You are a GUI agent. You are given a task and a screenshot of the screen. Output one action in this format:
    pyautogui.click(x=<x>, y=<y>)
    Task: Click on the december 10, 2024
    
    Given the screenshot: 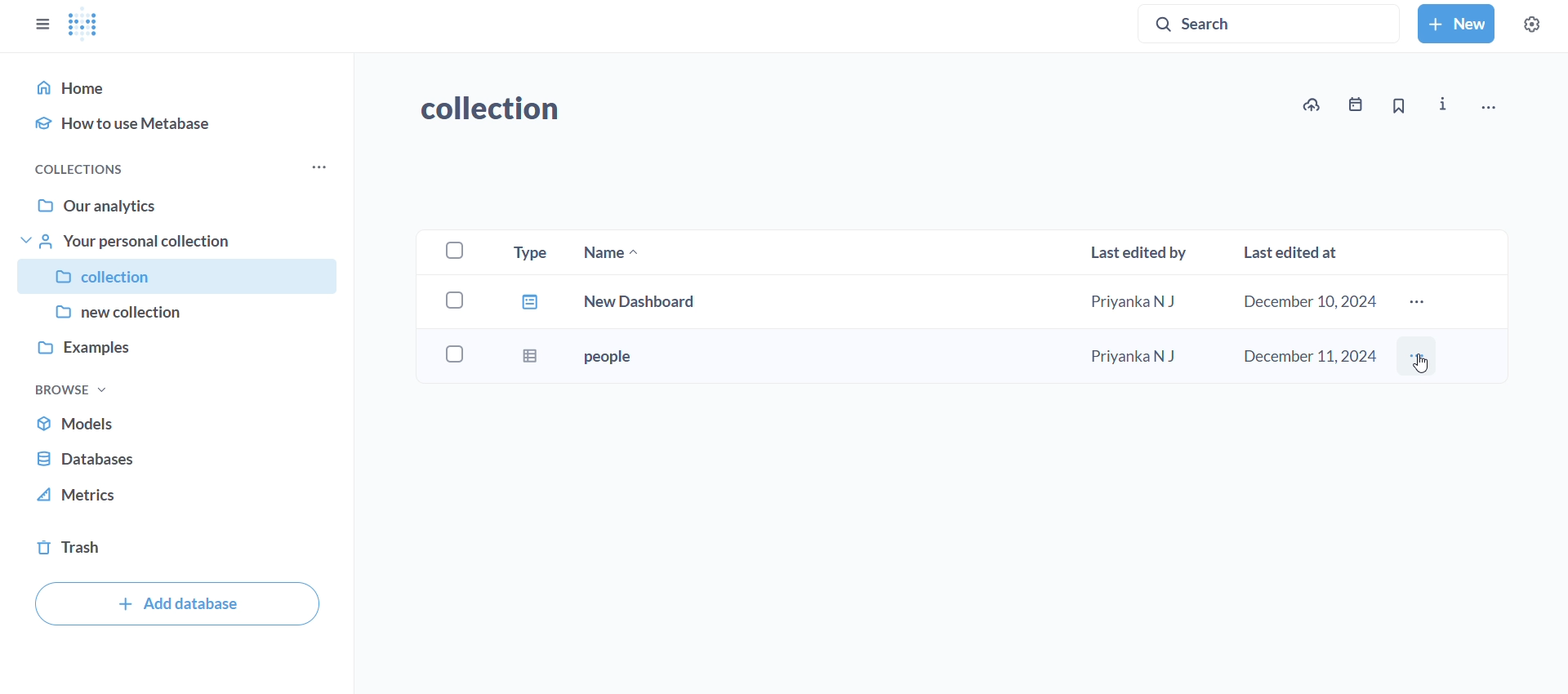 What is the action you would take?
    pyautogui.click(x=1315, y=304)
    